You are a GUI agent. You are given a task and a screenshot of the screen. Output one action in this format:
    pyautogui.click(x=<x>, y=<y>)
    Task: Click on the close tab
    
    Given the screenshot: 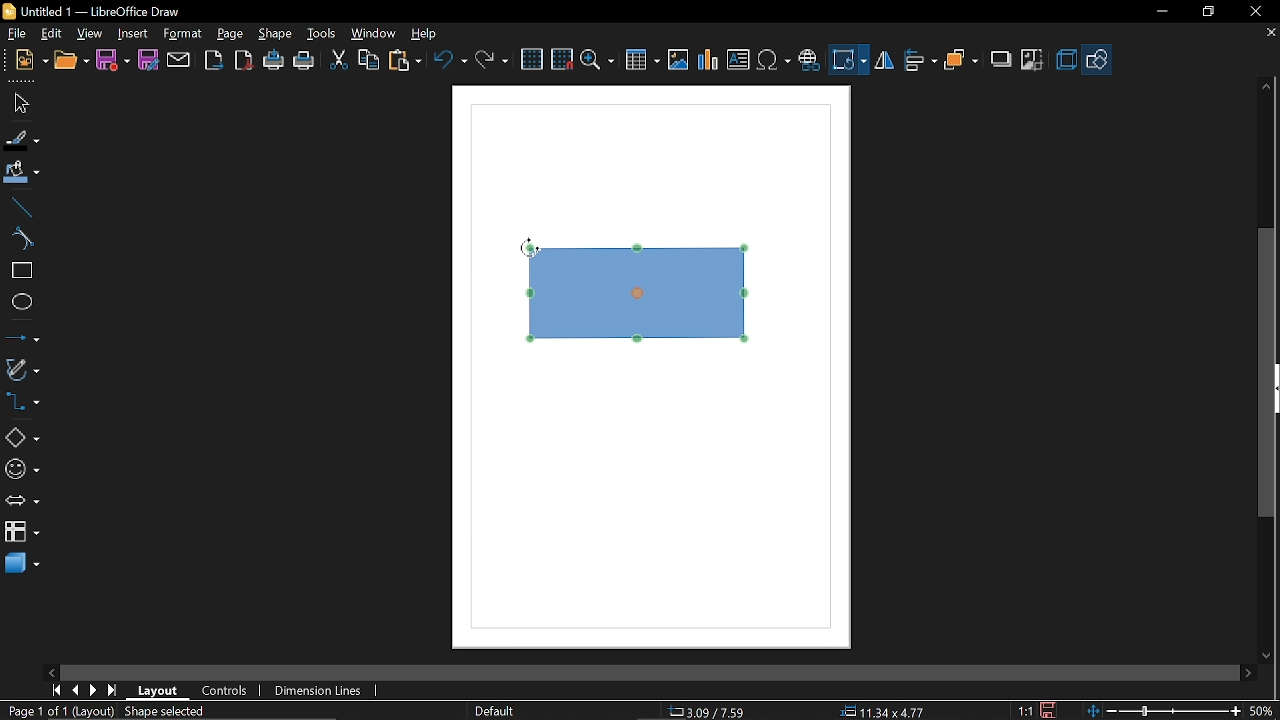 What is the action you would take?
    pyautogui.click(x=1270, y=34)
    